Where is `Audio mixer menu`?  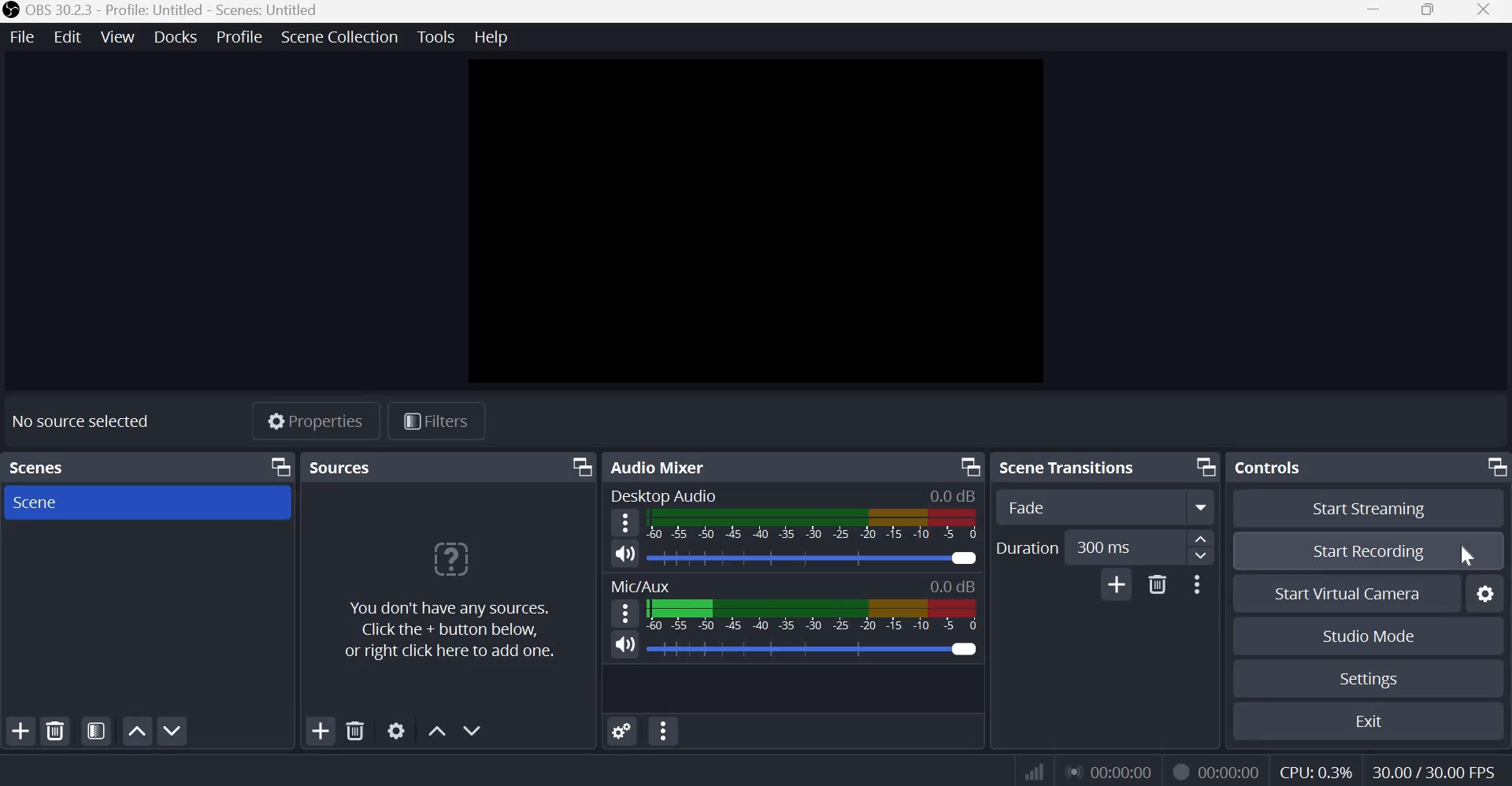
Audio mixer menu is located at coordinates (665, 731).